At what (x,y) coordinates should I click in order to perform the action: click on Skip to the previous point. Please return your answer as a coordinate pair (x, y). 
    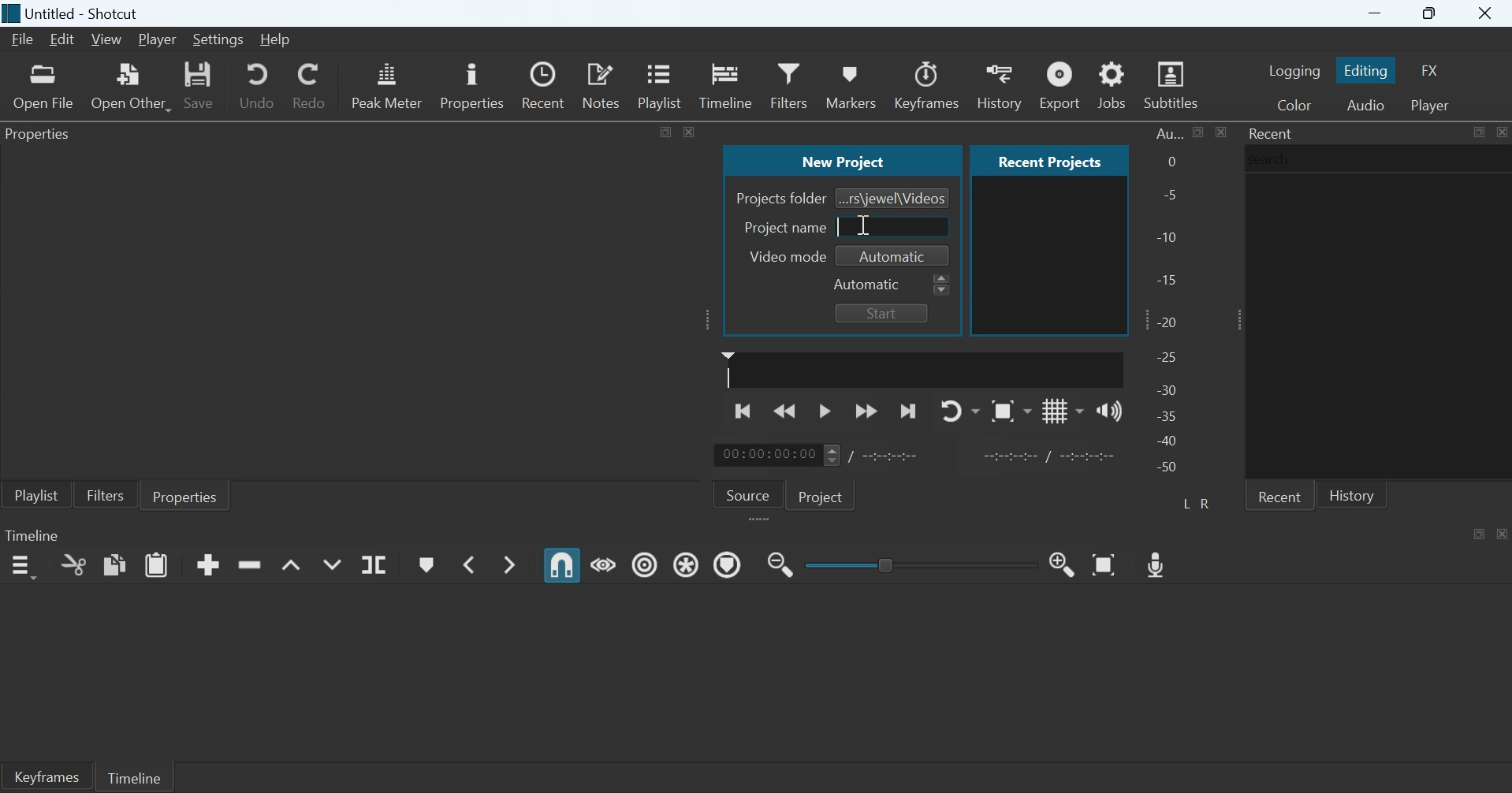
    Looking at the image, I should click on (745, 409).